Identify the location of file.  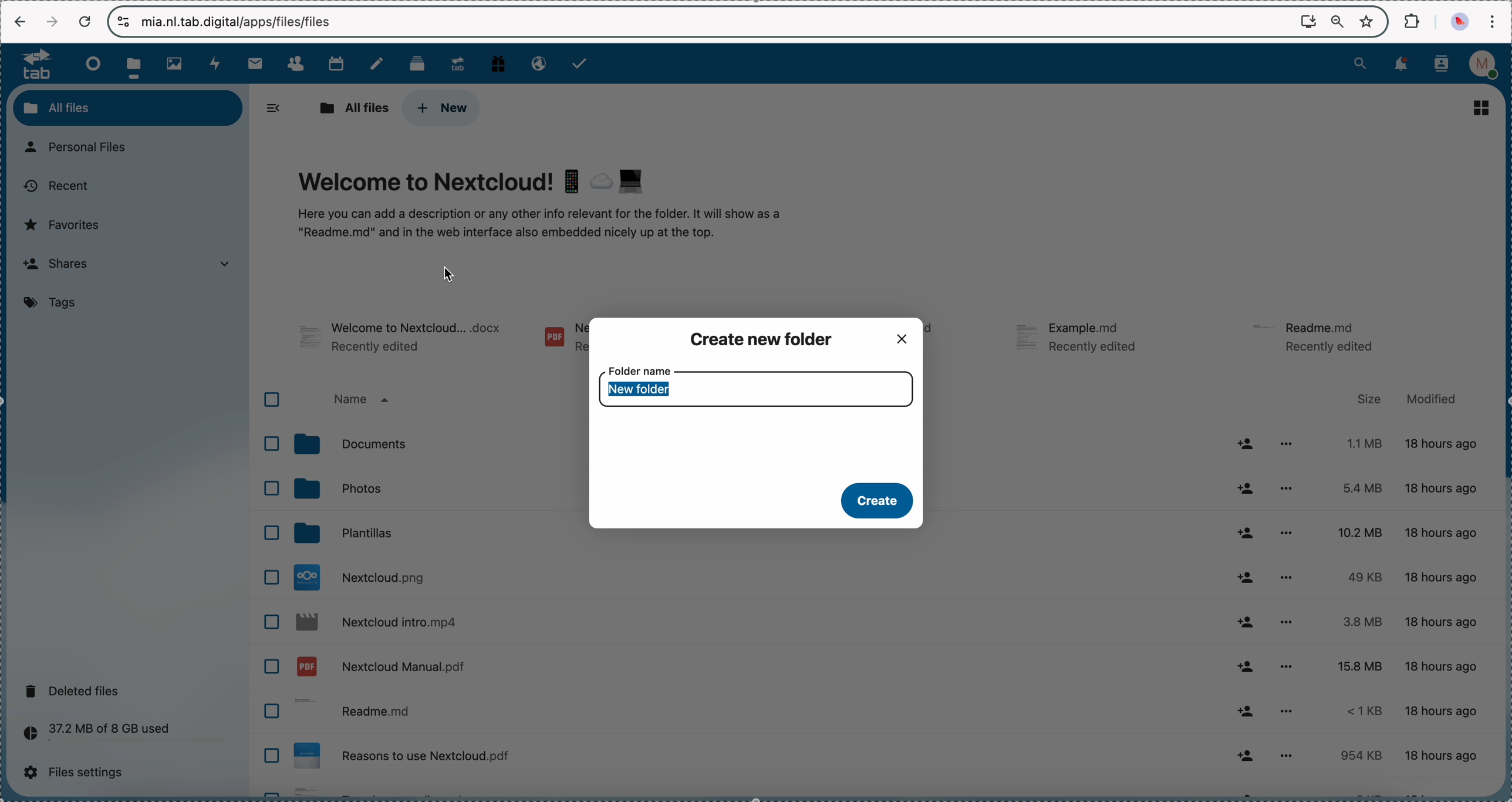
(941, 338).